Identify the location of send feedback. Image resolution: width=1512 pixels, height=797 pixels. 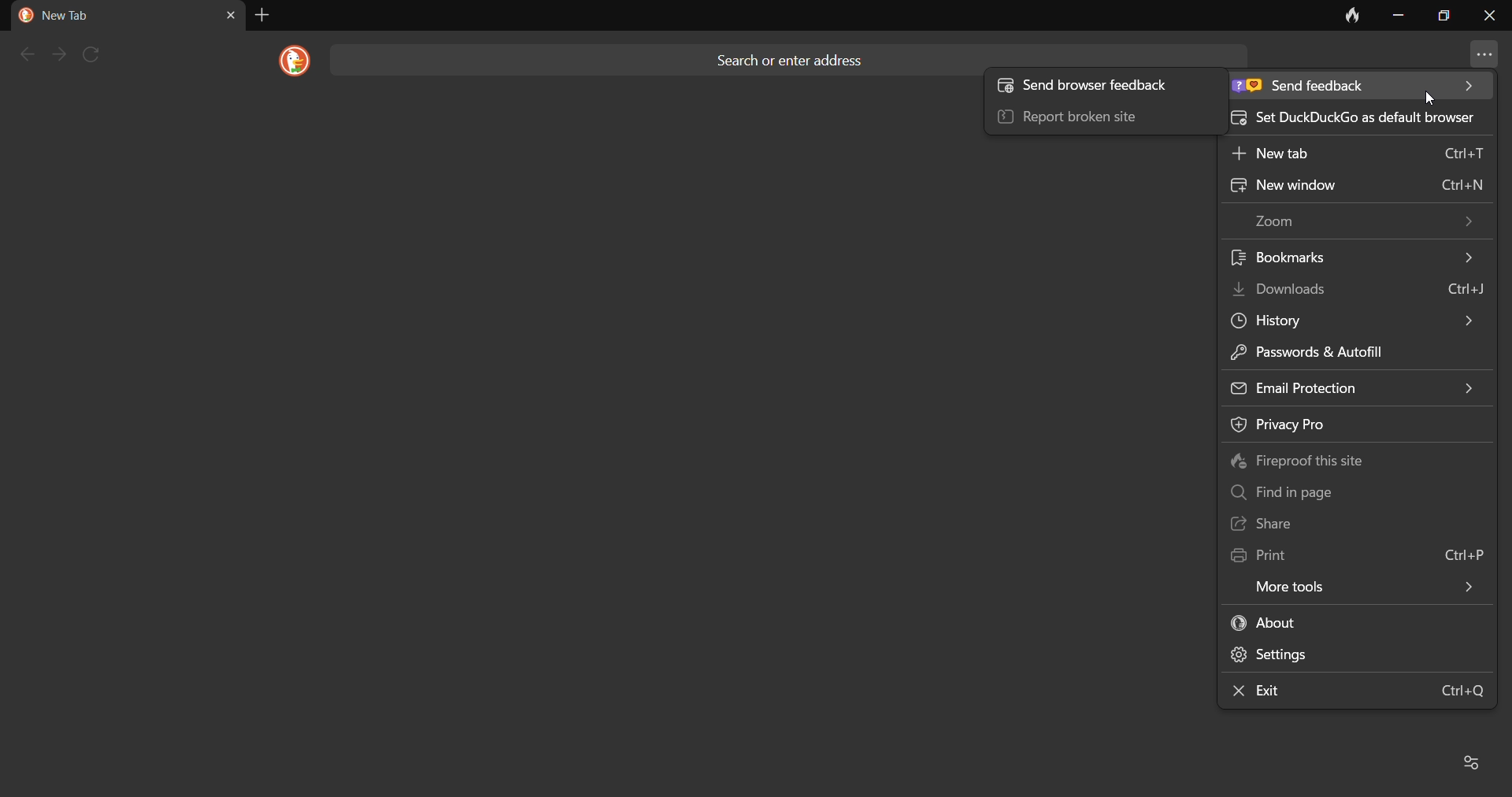
(1356, 87).